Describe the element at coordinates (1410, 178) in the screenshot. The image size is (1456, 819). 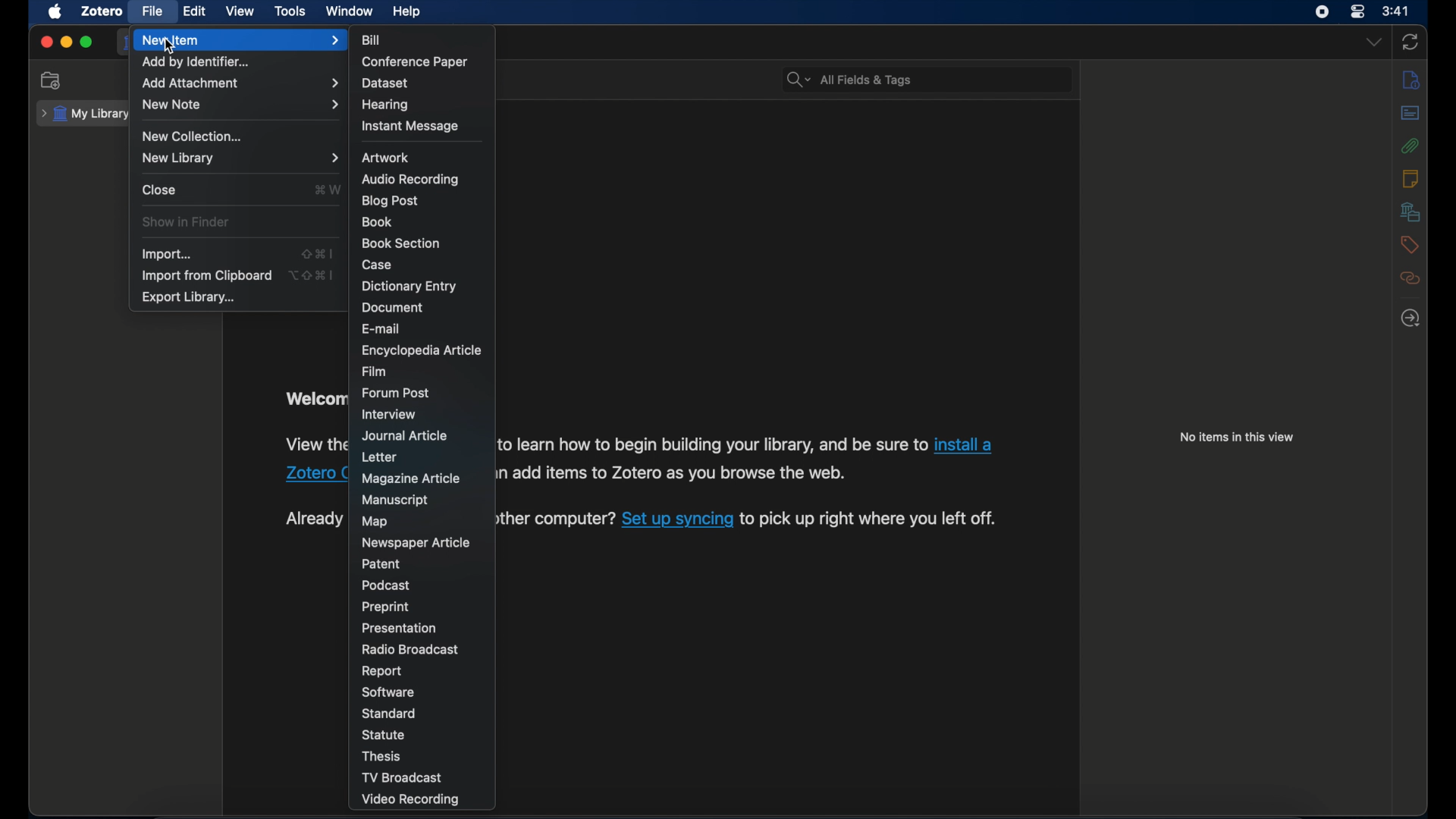
I see `notes` at that location.